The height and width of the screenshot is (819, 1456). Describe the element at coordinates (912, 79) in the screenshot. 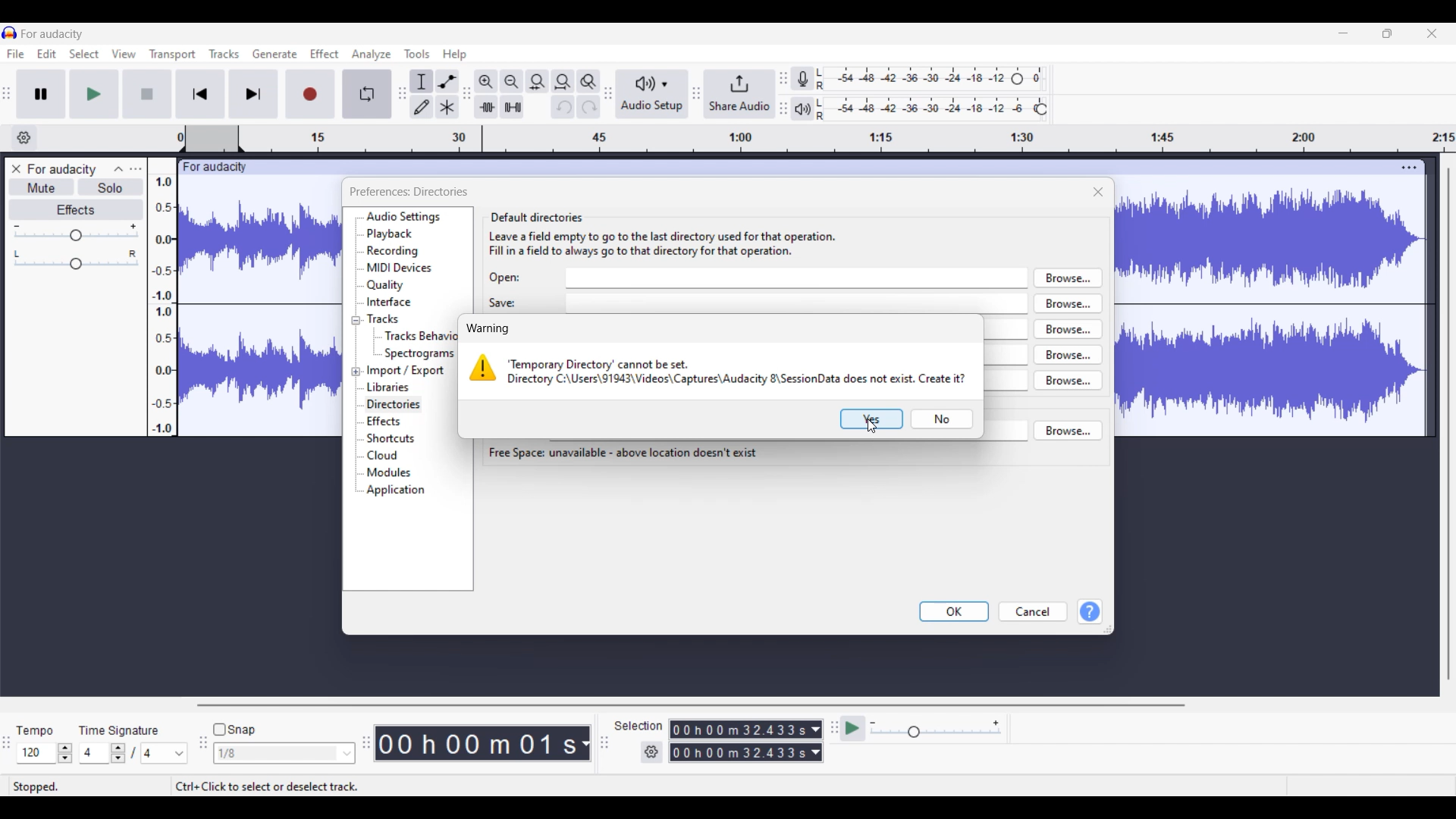

I see `Recording level` at that location.